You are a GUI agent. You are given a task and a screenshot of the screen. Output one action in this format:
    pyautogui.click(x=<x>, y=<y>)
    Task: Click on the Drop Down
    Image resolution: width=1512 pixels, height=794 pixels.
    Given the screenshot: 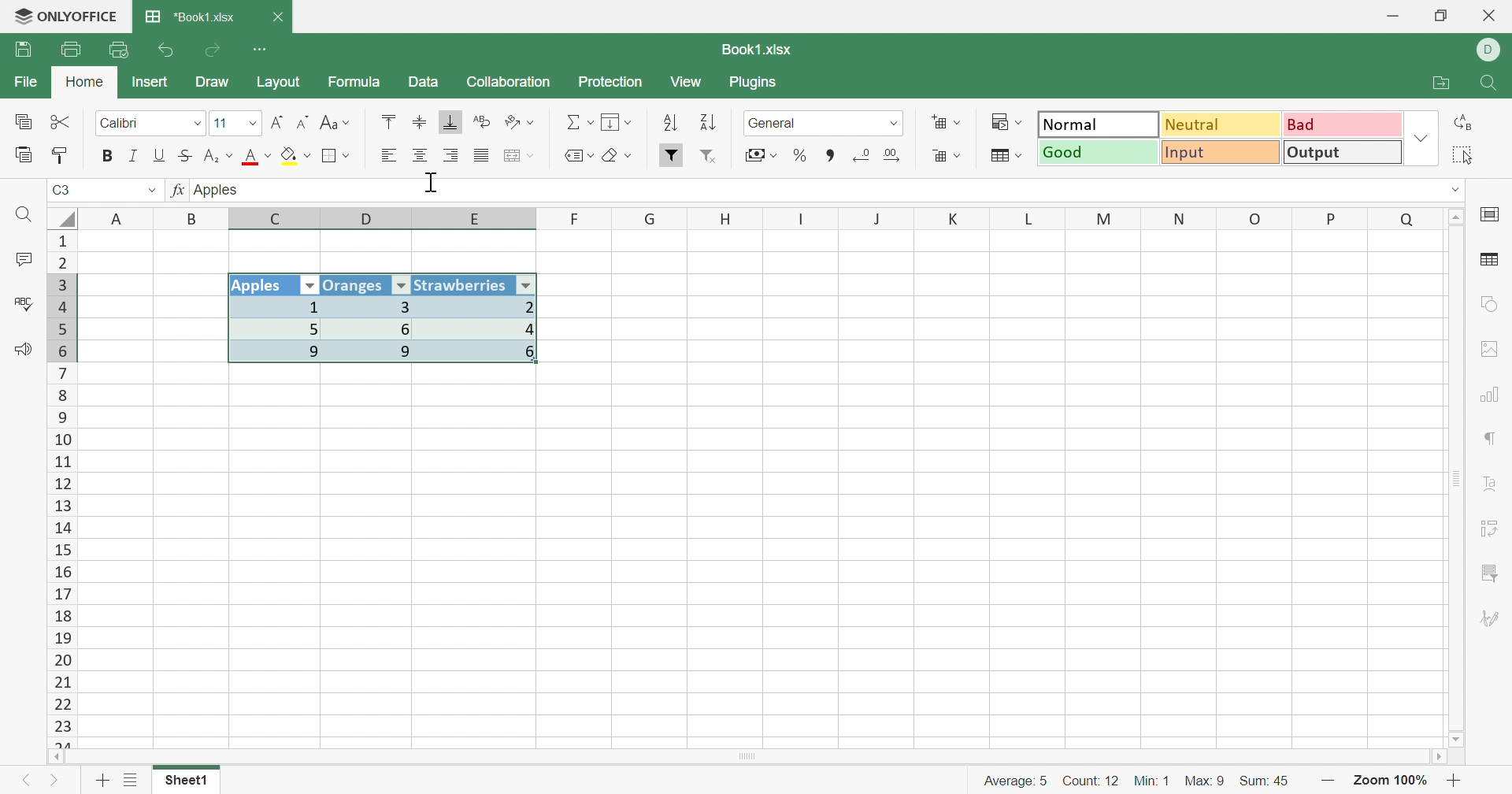 What is the action you would take?
    pyautogui.click(x=1421, y=140)
    